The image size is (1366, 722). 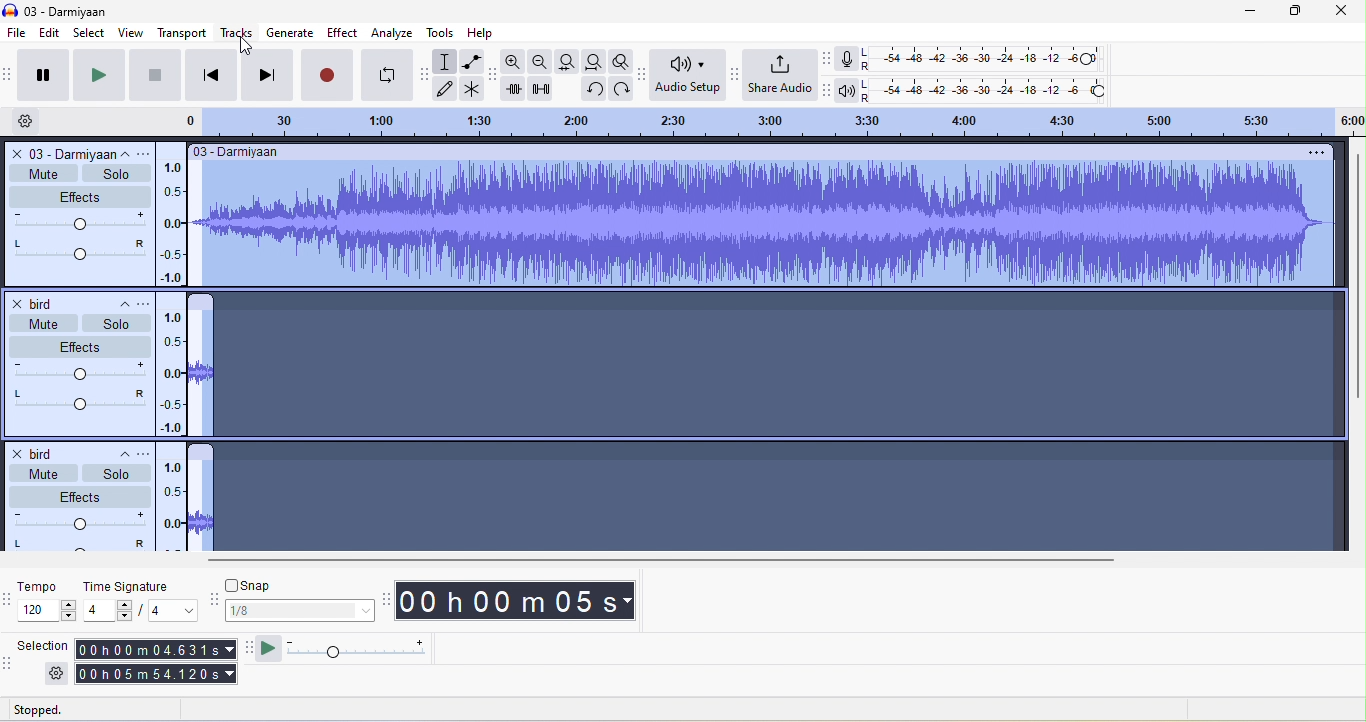 I want to click on record, so click(x=329, y=73).